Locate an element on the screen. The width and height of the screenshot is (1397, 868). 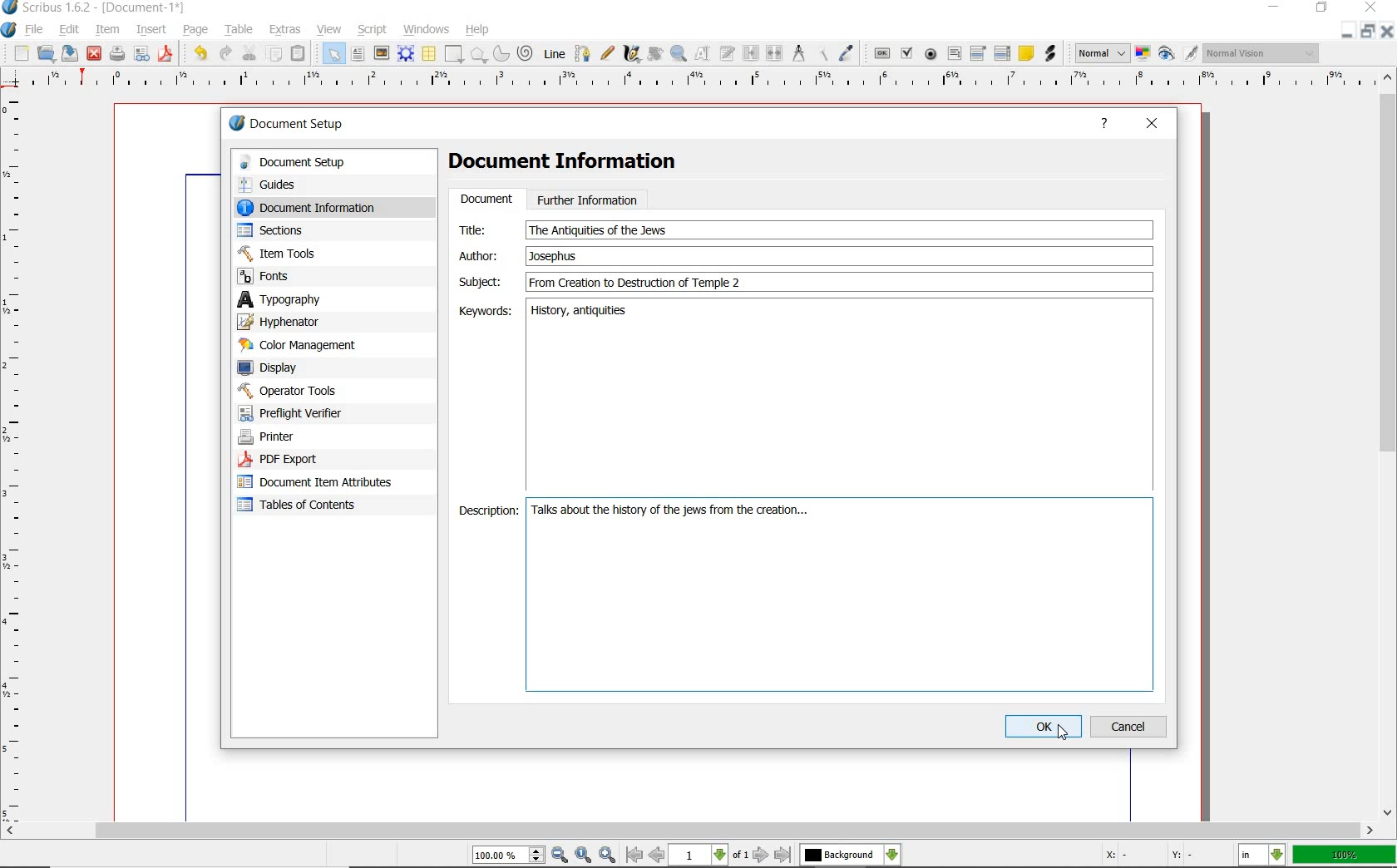
close is located at coordinates (1389, 33).